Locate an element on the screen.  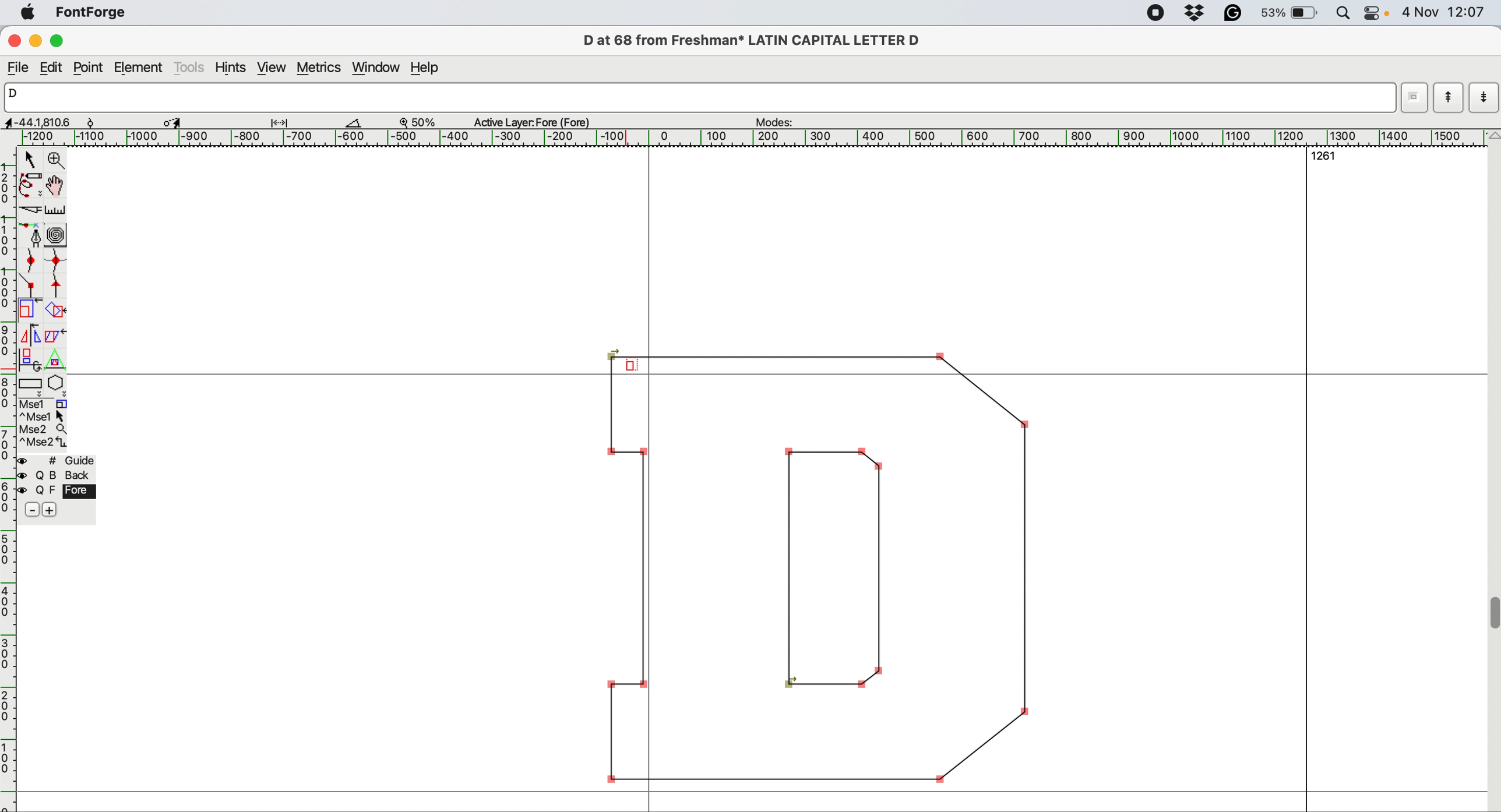
previous letter is located at coordinates (1449, 98).